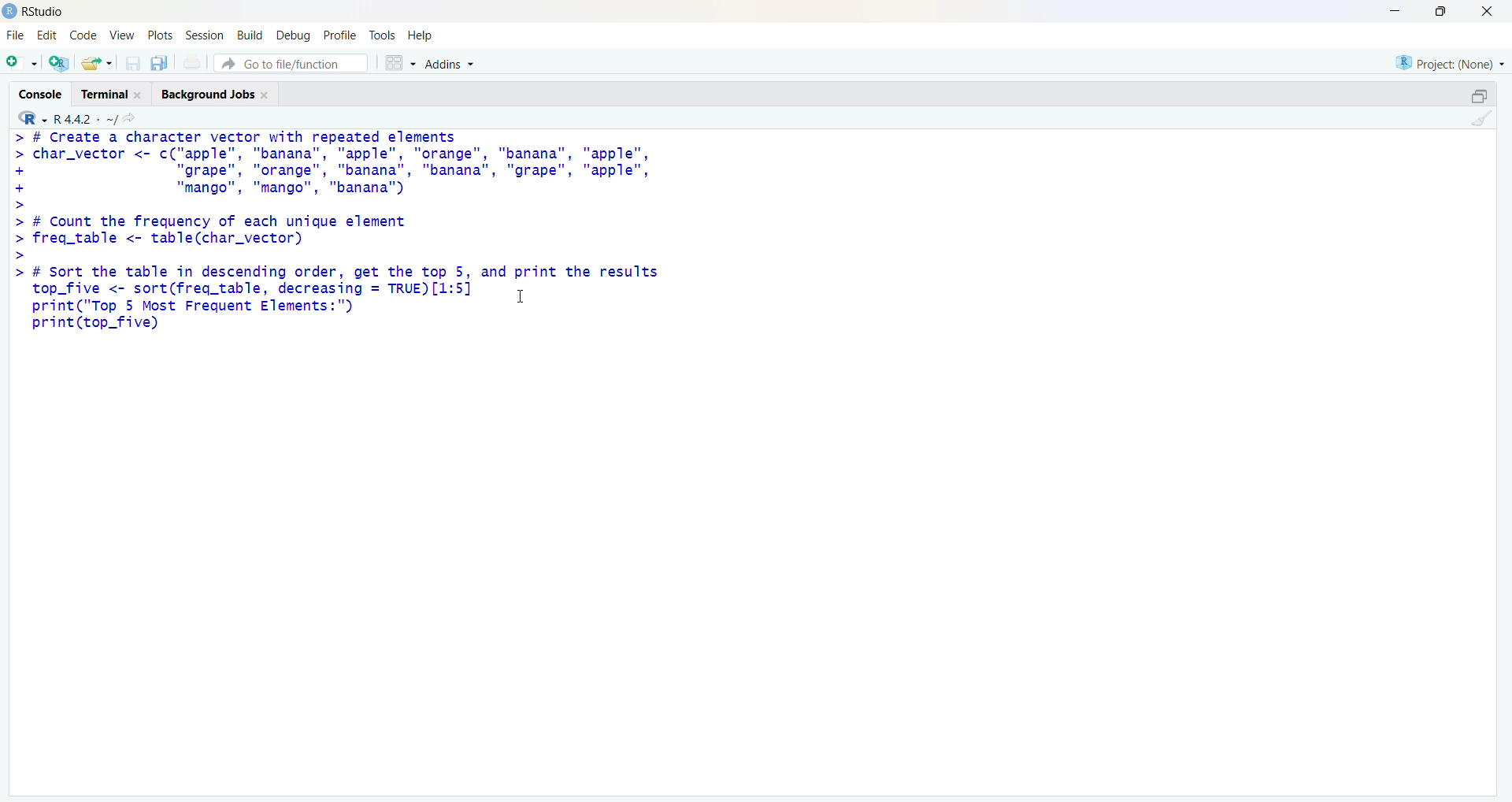 Image resolution: width=1512 pixels, height=802 pixels. Describe the element at coordinates (133, 118) in the screenshot. I see `View the current working directory` at that location.